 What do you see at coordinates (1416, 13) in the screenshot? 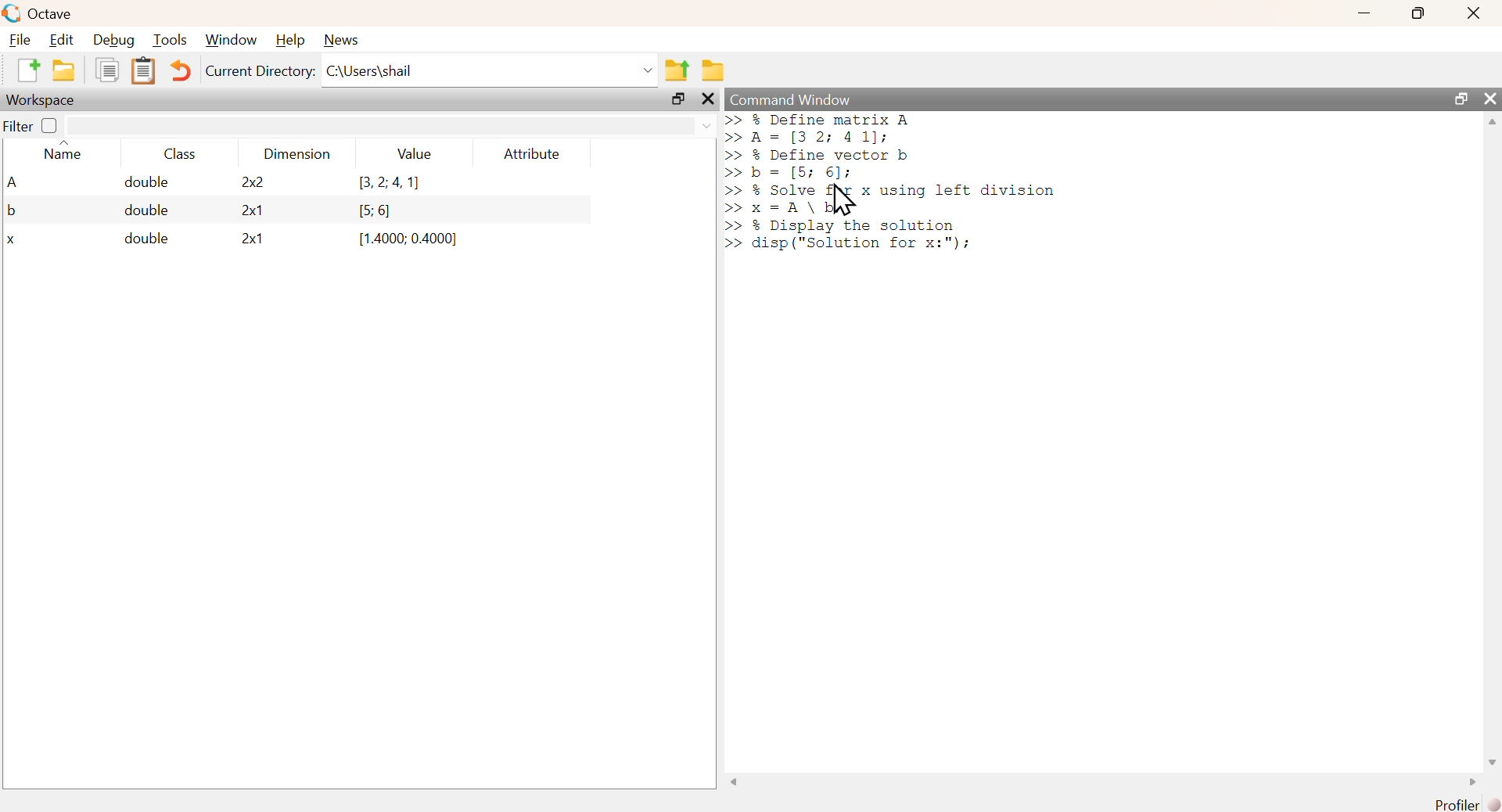
I see `maximize` at bounding box center [1416, 13].